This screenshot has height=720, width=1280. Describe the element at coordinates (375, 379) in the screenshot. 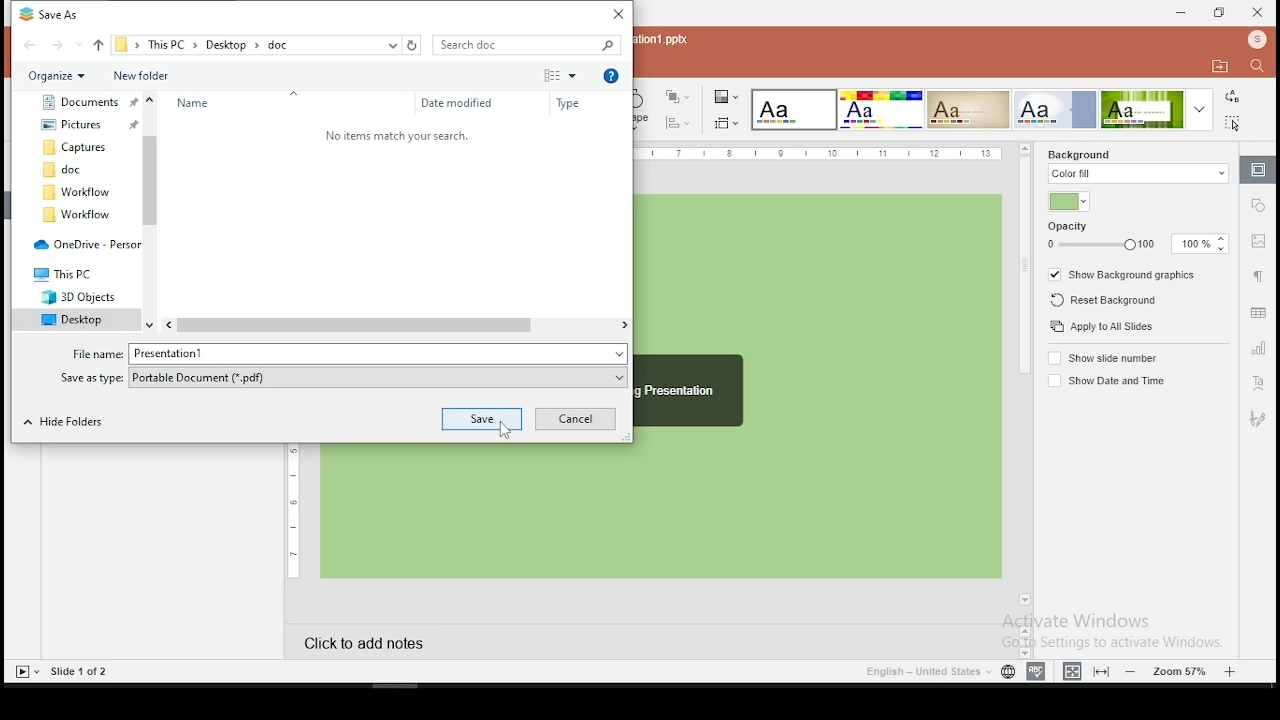

I see `Save as type .pdf` at that location.